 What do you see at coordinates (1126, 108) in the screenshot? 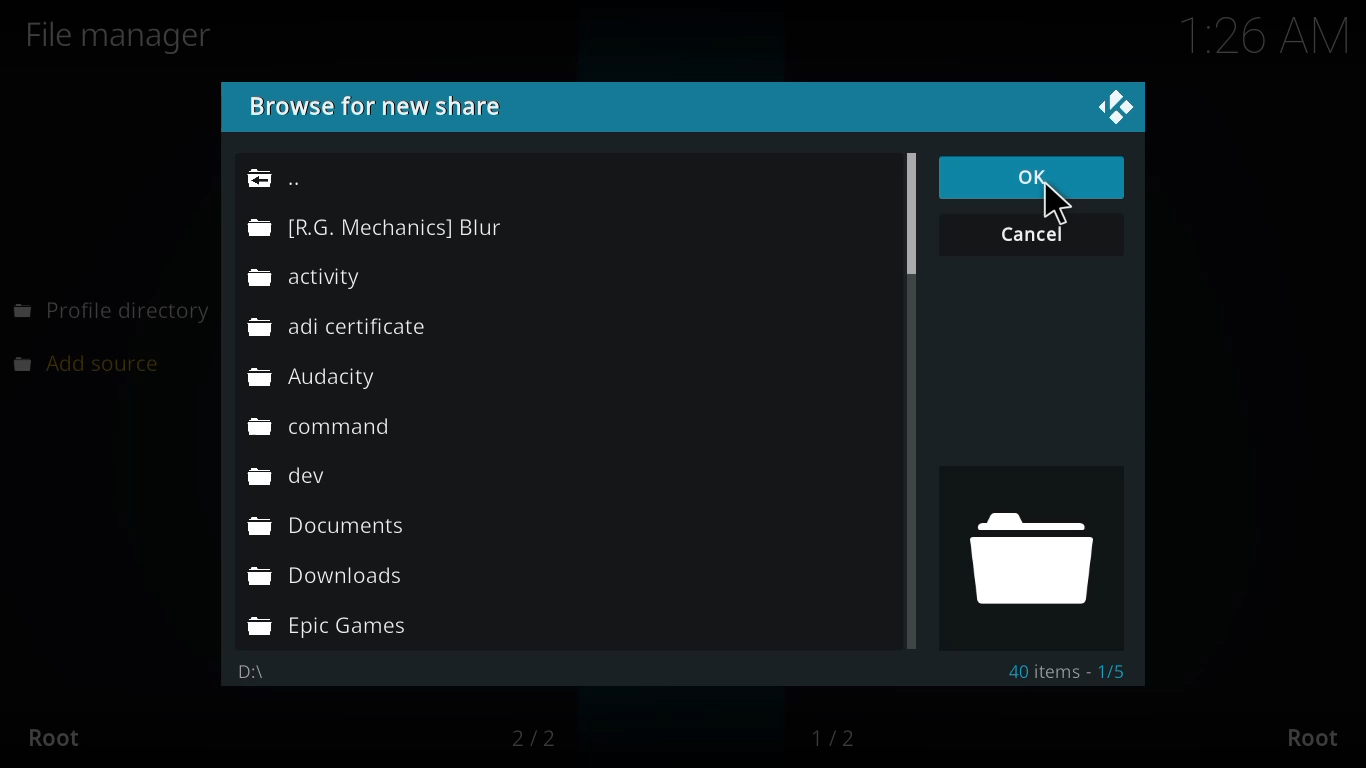
I see `close` at bounding box center [1126, 108].